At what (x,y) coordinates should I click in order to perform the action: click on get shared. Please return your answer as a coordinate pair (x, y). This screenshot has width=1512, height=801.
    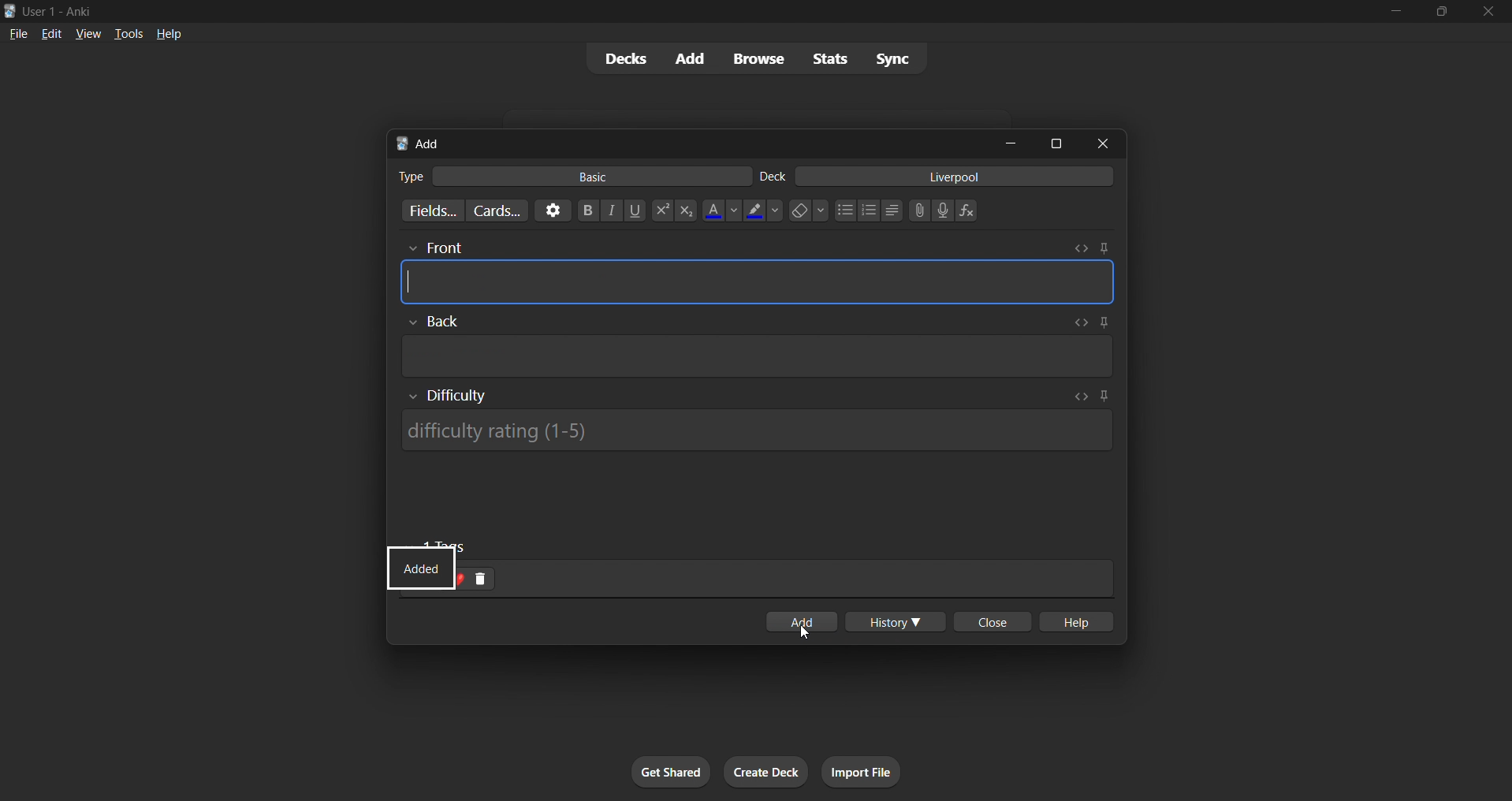
    Looking at the image, I should click on (672, 773).